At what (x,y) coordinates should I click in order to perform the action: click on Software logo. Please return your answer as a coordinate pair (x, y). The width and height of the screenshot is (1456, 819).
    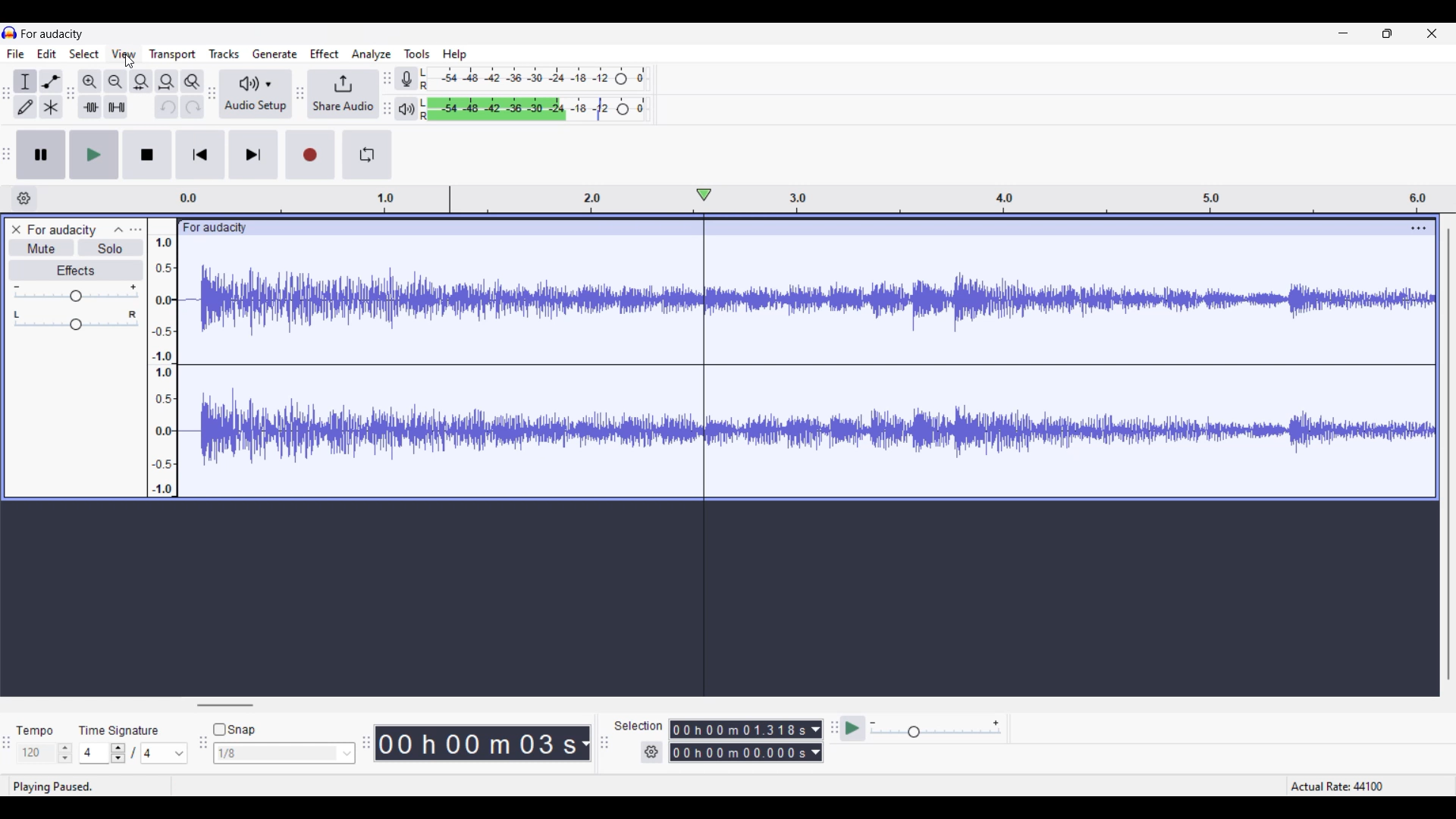
    Looking at the image, I should click on (10, 33).